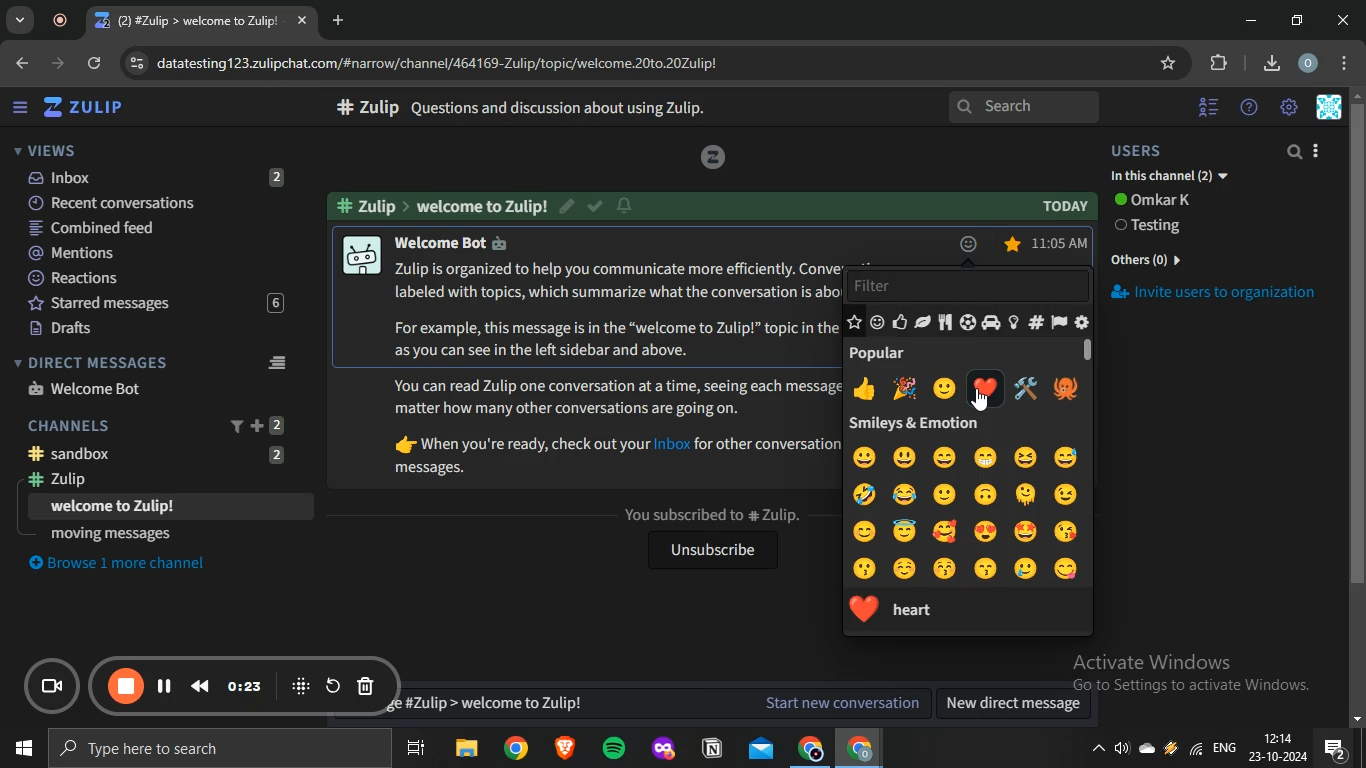 This screenshot has width=1366, height=768. I want to click on Today, so click(1065, 207).